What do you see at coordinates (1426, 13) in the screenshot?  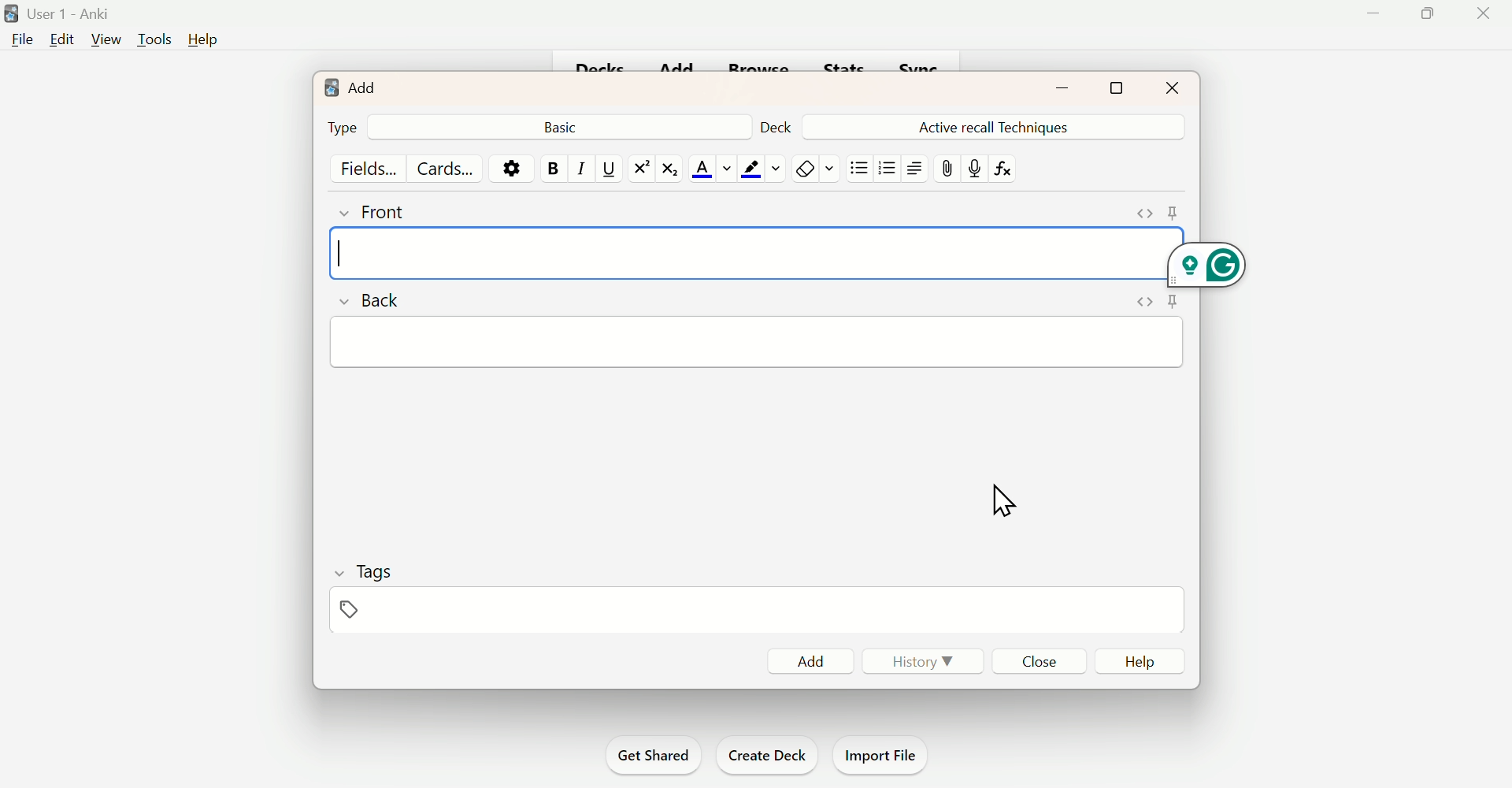 I see `Maximise` at bounding box center [1426, 13].